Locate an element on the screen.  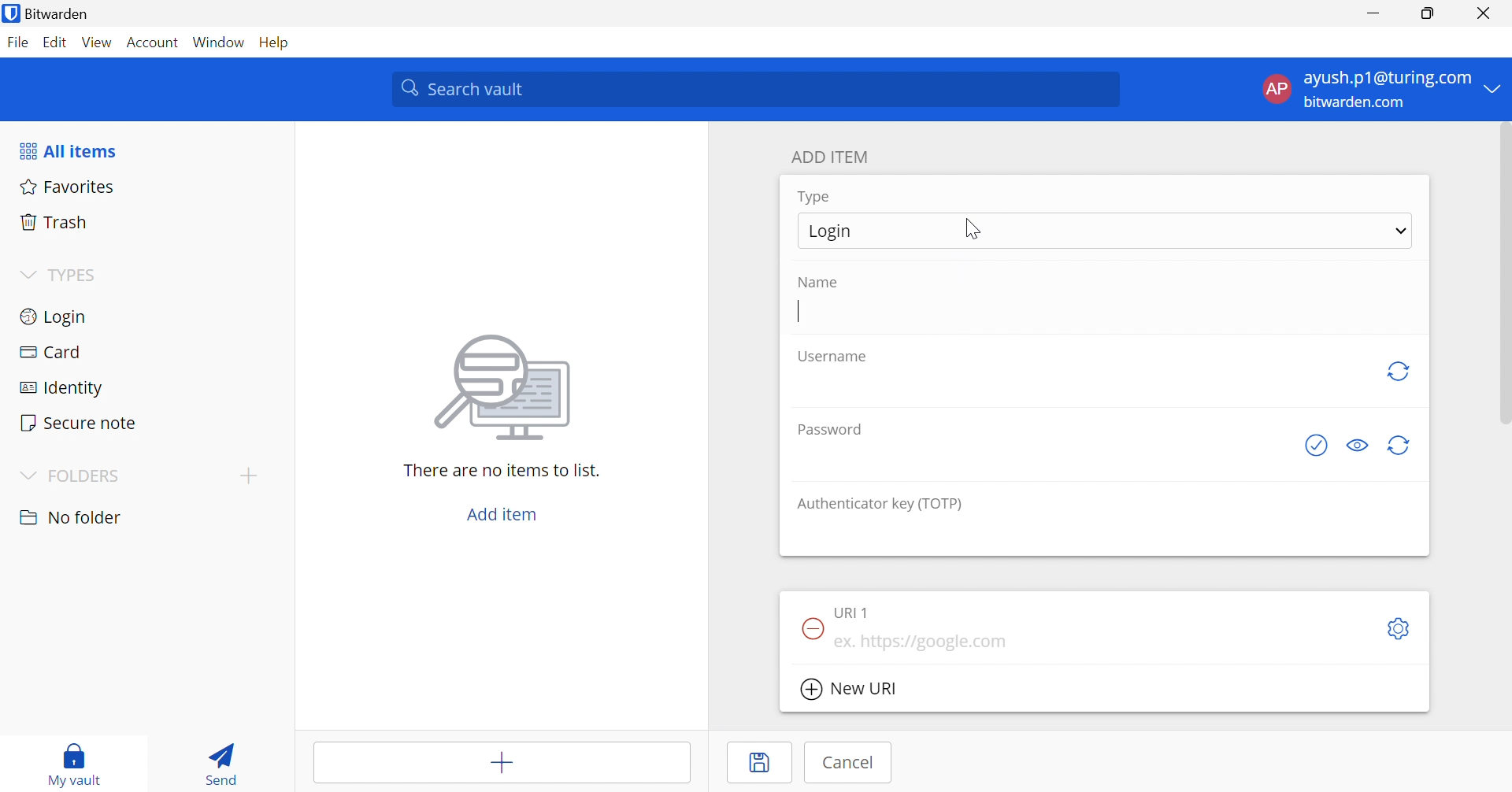
Identity is located at coordinates (140, 383).